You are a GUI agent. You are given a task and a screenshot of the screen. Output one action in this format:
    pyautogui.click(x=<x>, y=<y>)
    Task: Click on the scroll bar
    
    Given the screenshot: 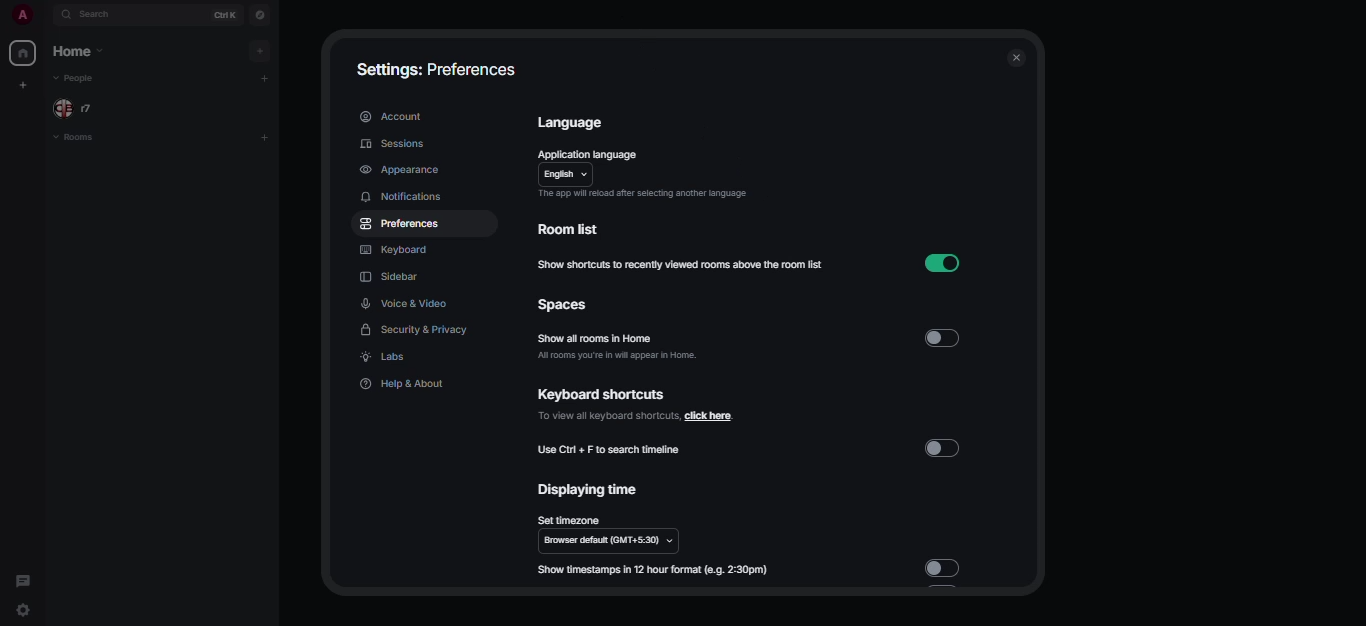 What is the action you would take?
    pyautogui.click(x=1032, y=175)
    